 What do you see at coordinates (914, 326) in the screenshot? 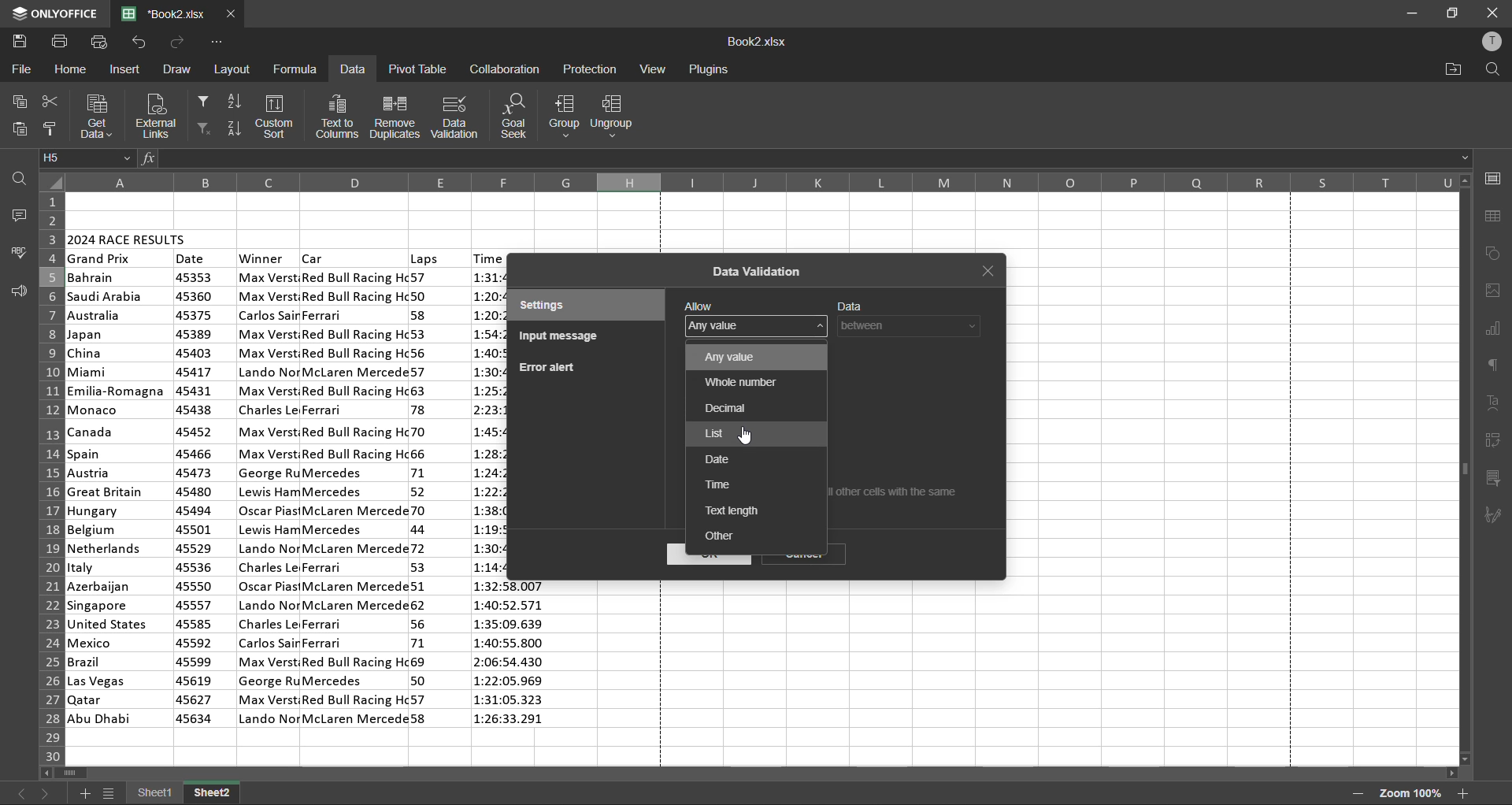
I see `data` at bounding box center [914, 326].